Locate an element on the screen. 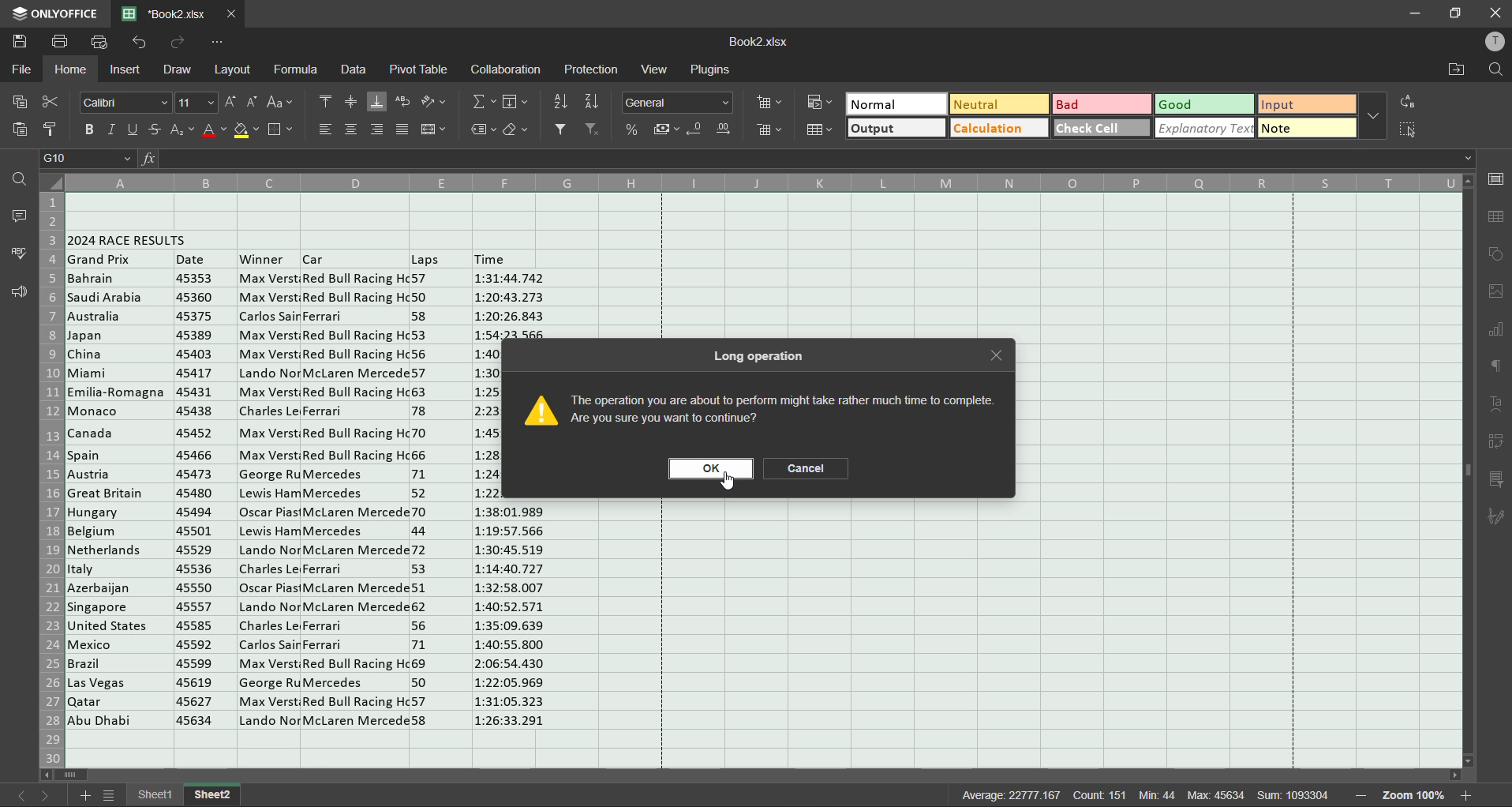 The image size is (1512, 807). close is located at coordinates (1495, 13).